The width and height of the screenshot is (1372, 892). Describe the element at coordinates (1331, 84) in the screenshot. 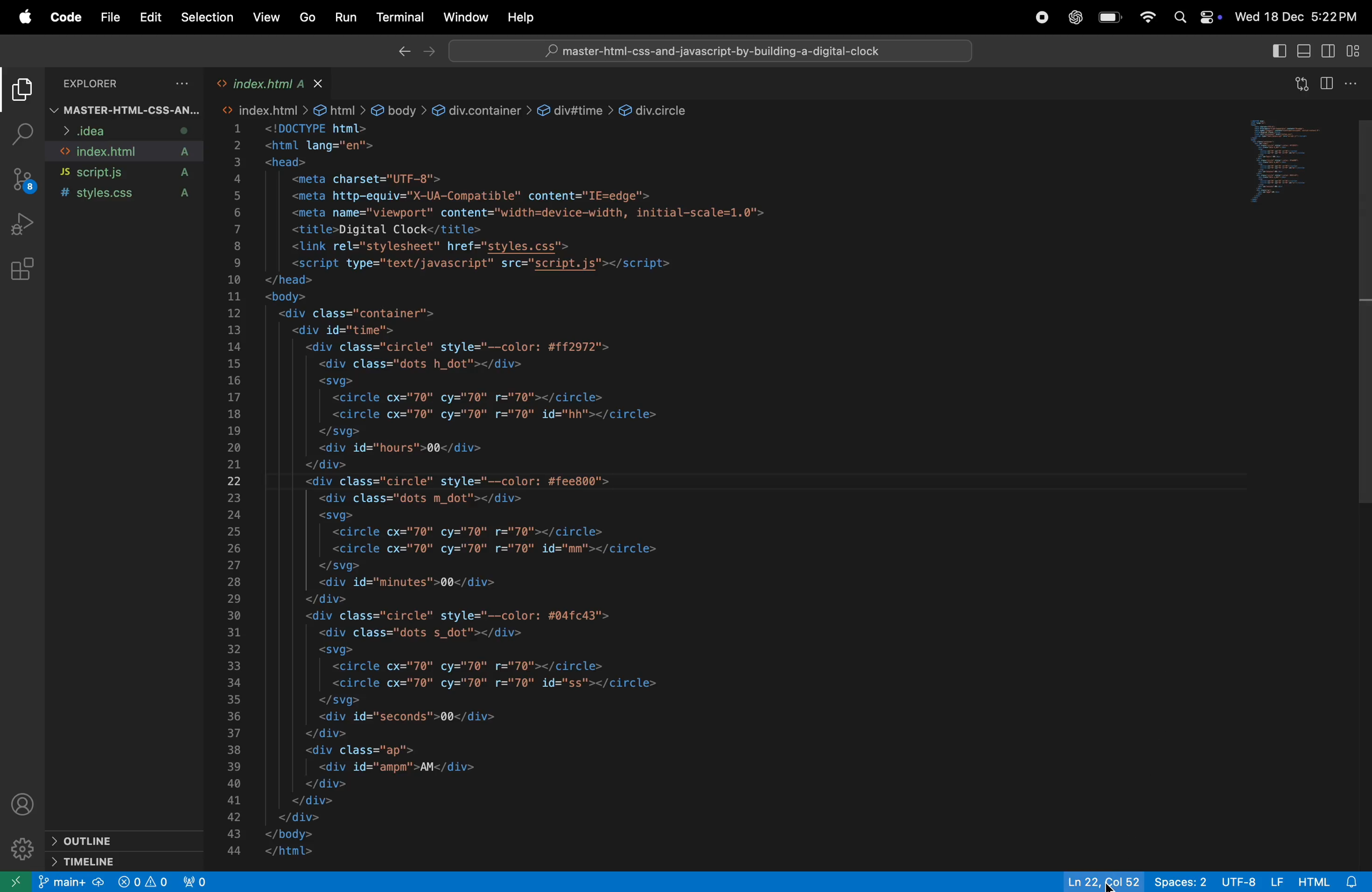

I see `split editor` at that location.